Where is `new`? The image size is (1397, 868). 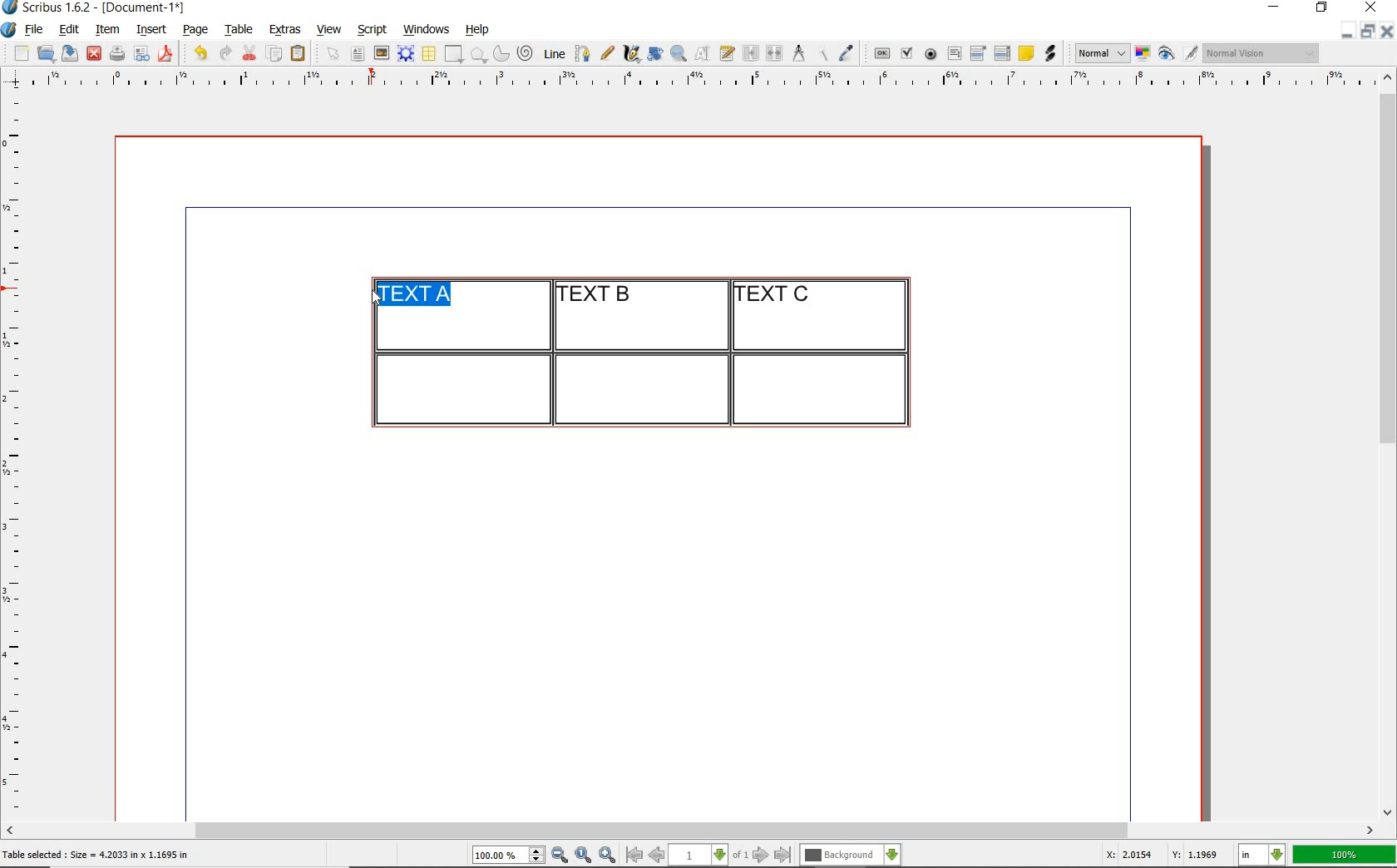
new is located at coordinates (19, 53).